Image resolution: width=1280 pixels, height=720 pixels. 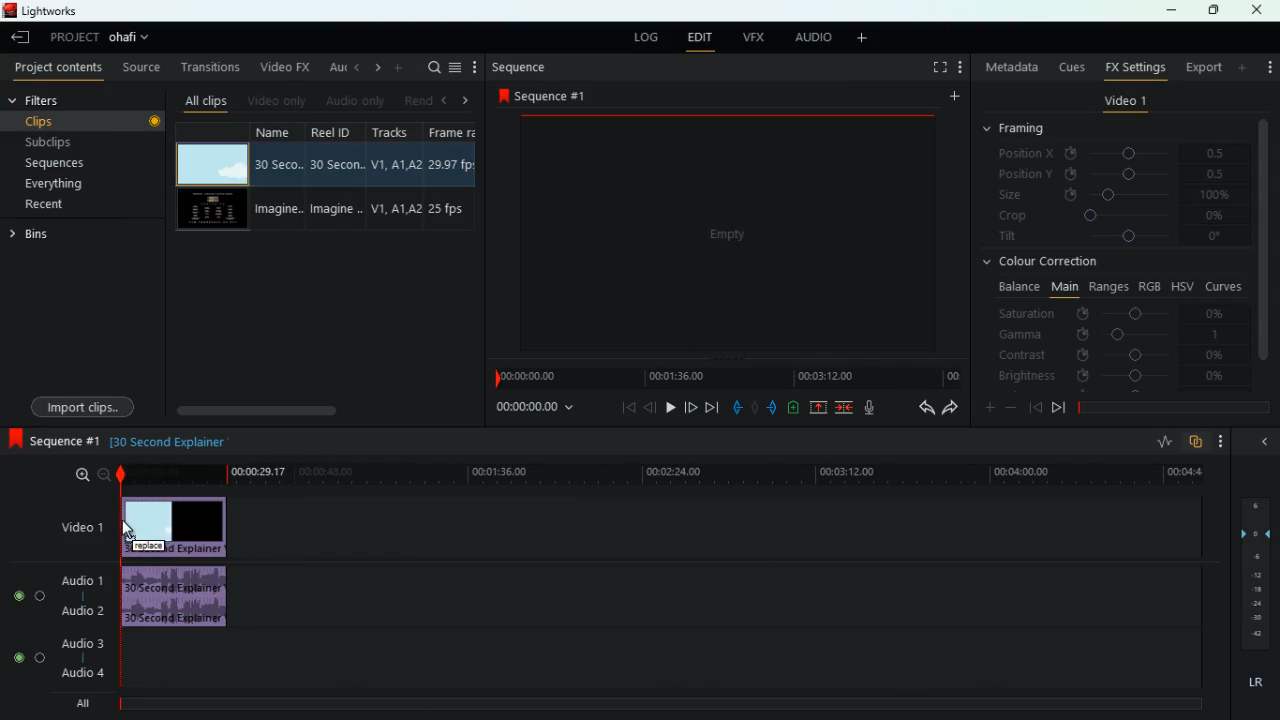 I want to click on back, so click(x=1262, y=441).